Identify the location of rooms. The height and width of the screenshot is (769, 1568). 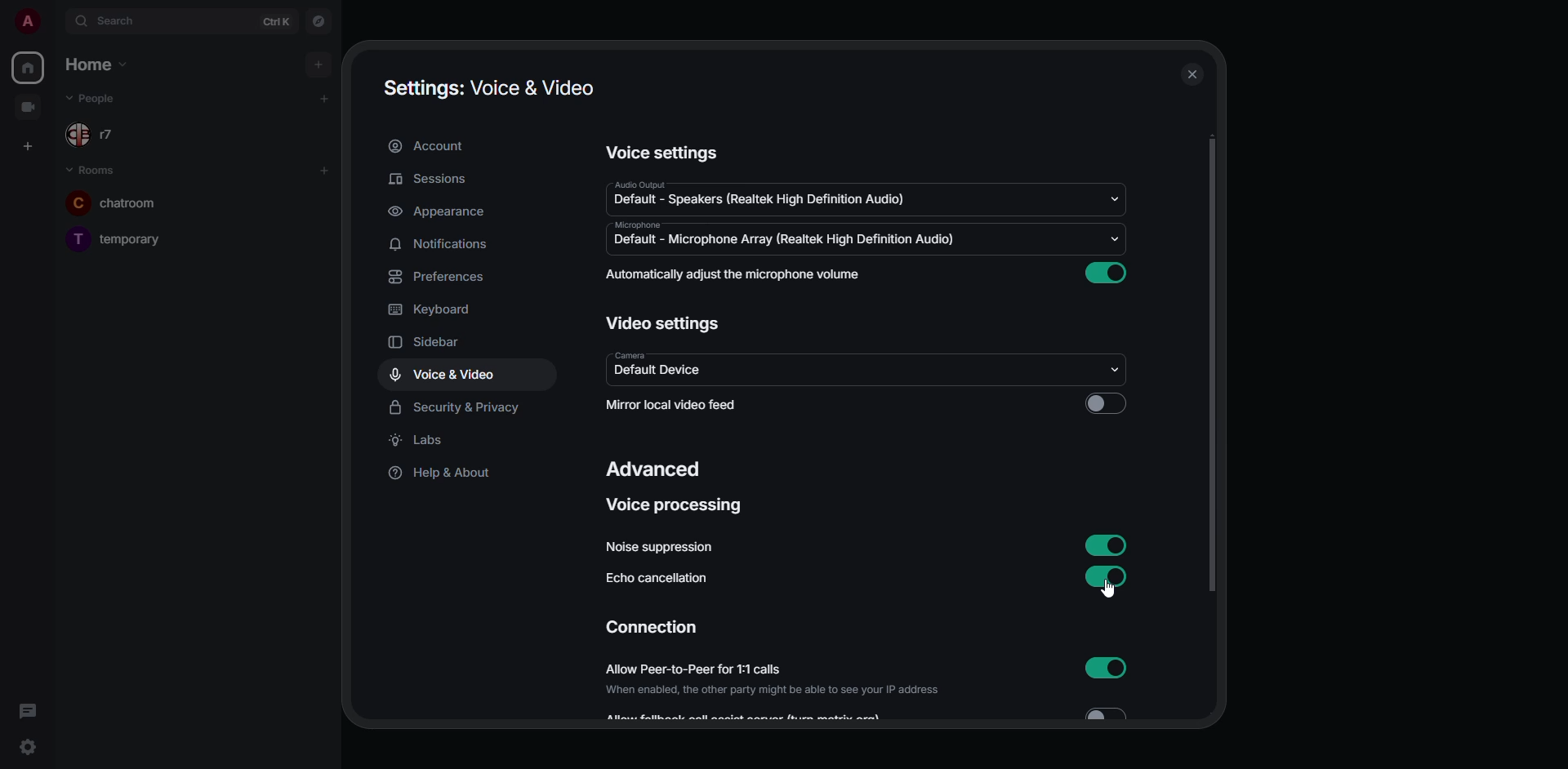
(95, 170).